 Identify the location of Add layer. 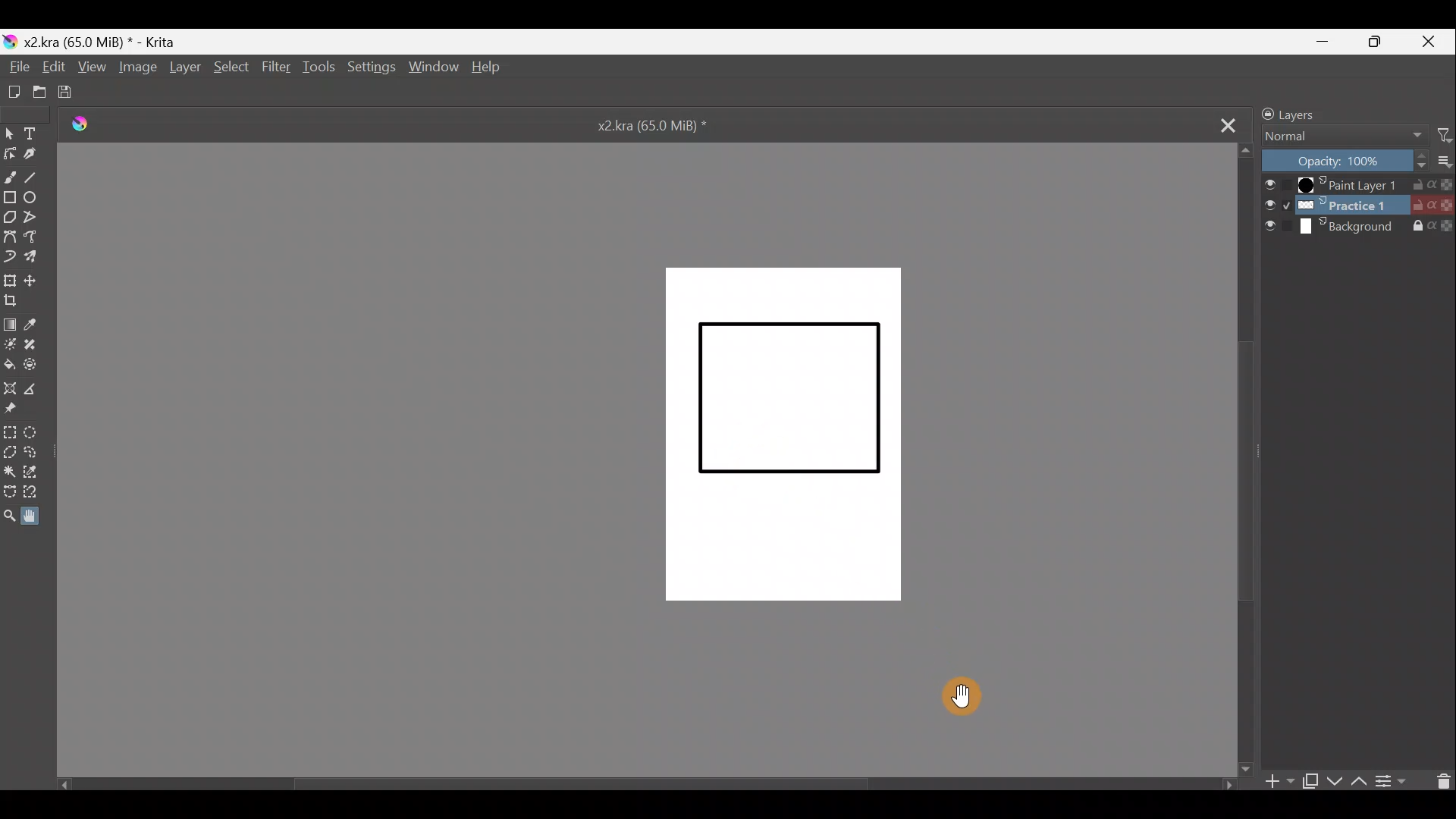
(1273, 781).